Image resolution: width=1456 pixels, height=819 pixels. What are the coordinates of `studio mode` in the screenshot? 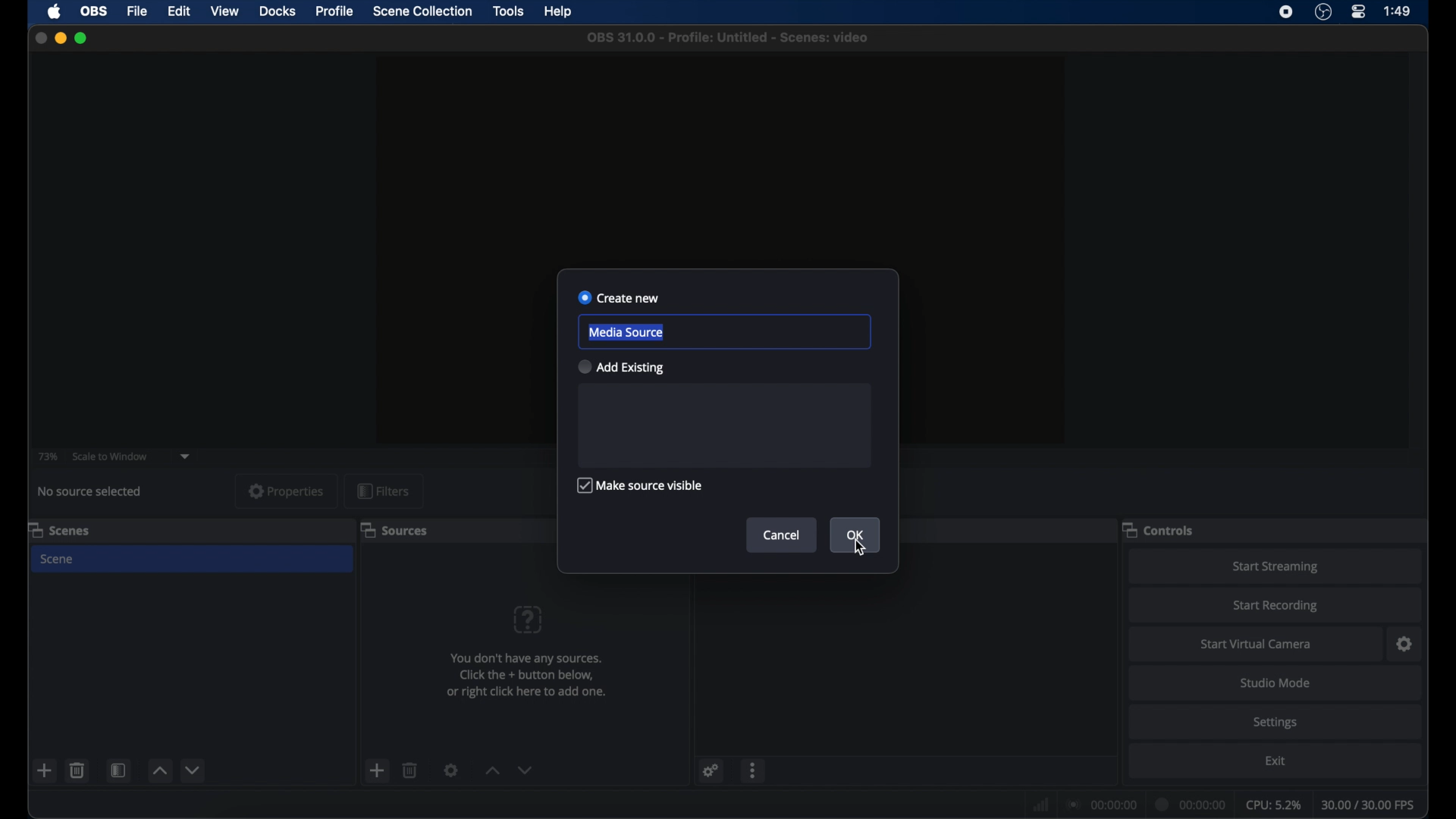 It's located at (1277, 683).